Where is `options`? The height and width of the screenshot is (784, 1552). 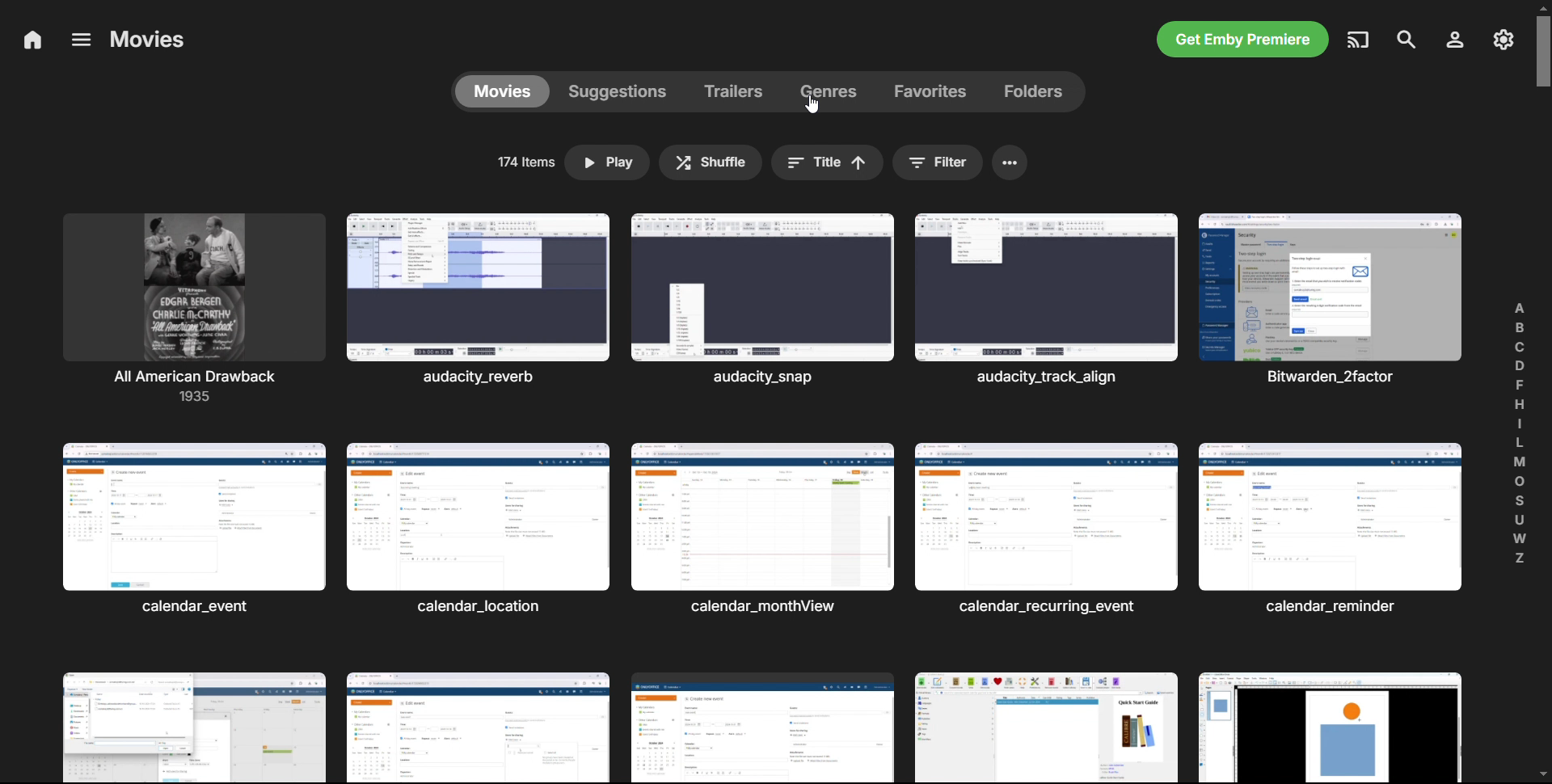
options is located at coordinates (78, 39).